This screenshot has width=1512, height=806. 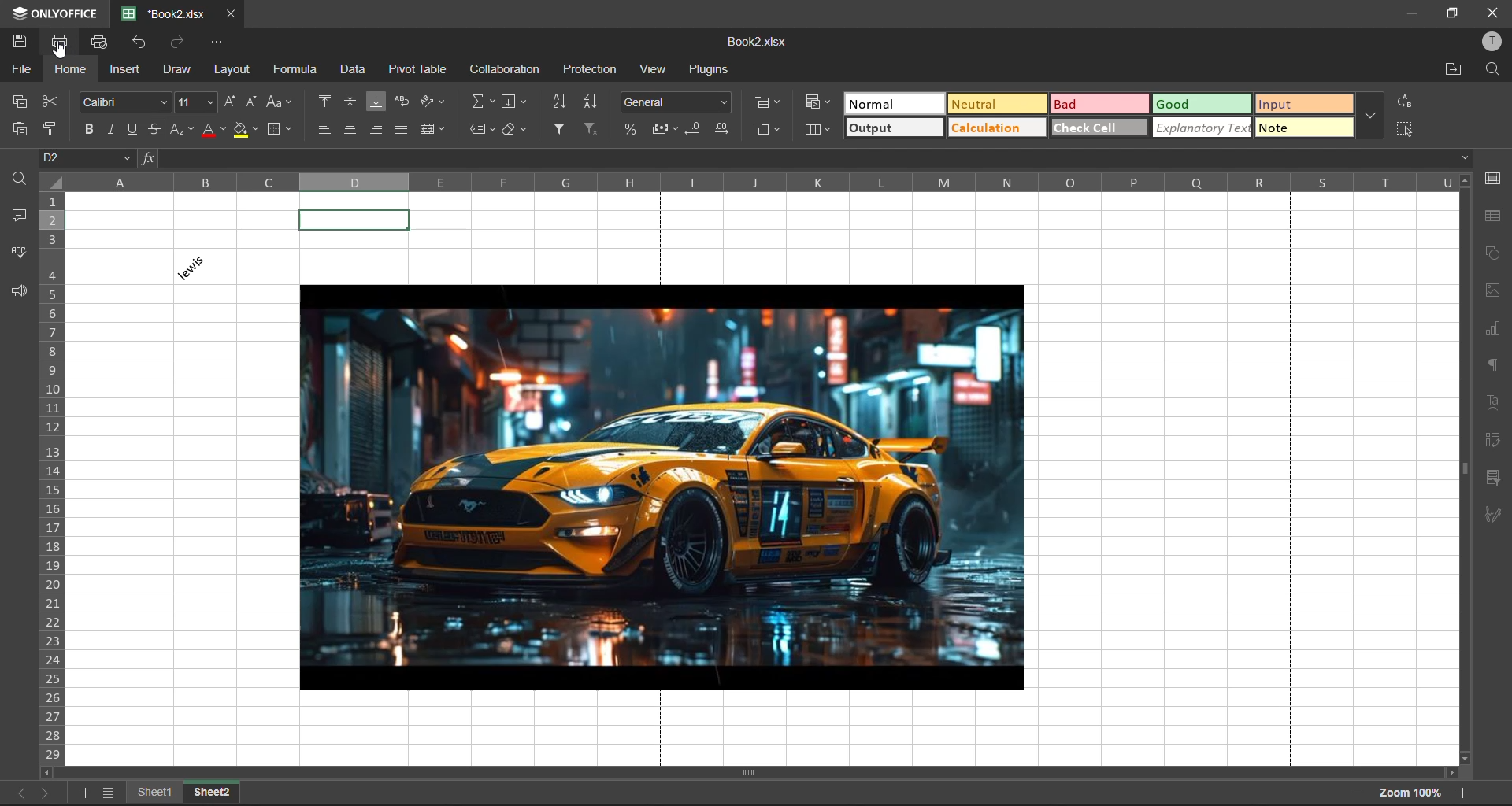 What do you see at coordinates (1488, 14) in the screenshot?
I see `close` at bounding box center [1488, 14].